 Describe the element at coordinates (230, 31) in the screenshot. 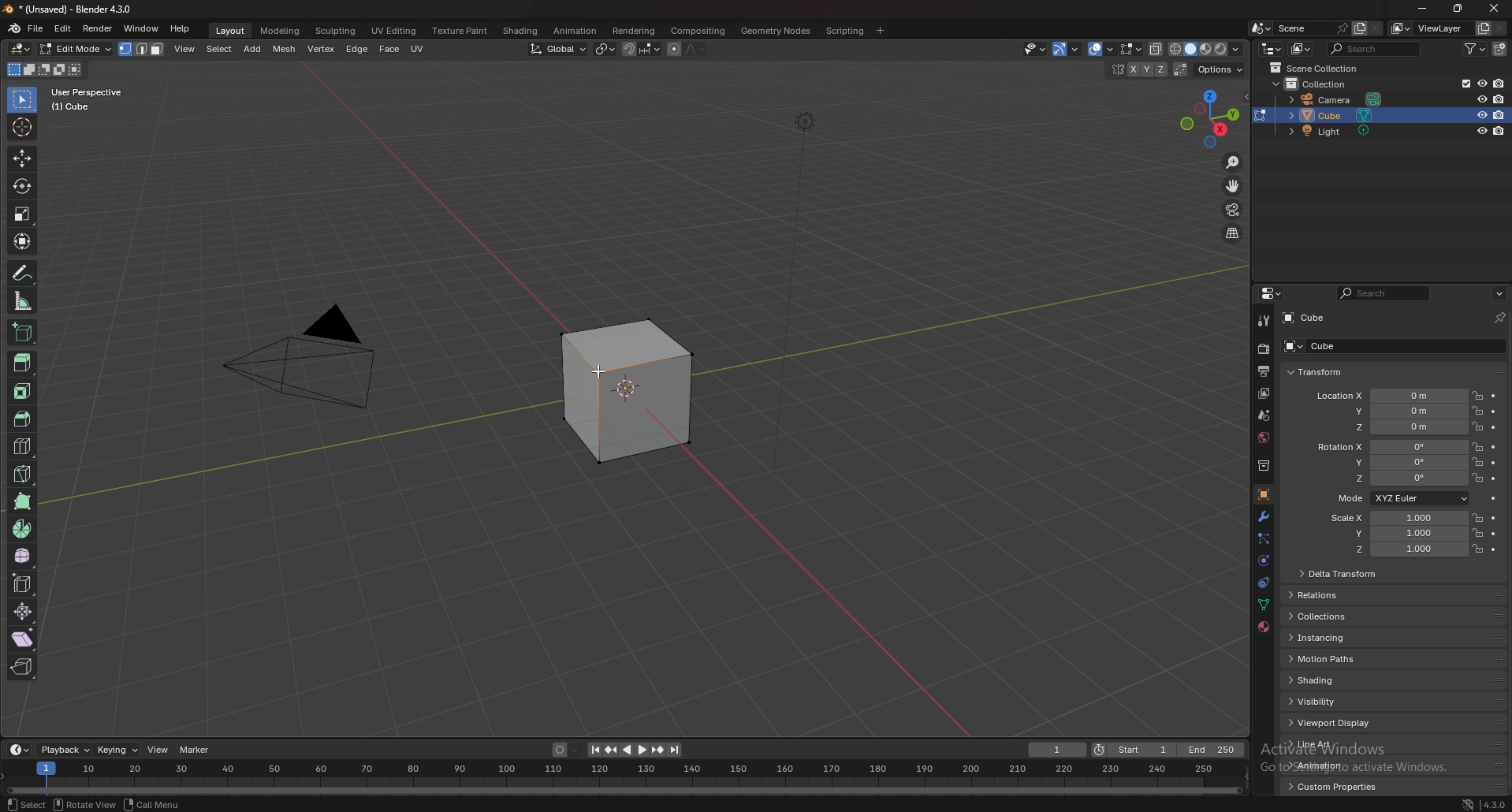

I see `layout` at that location.